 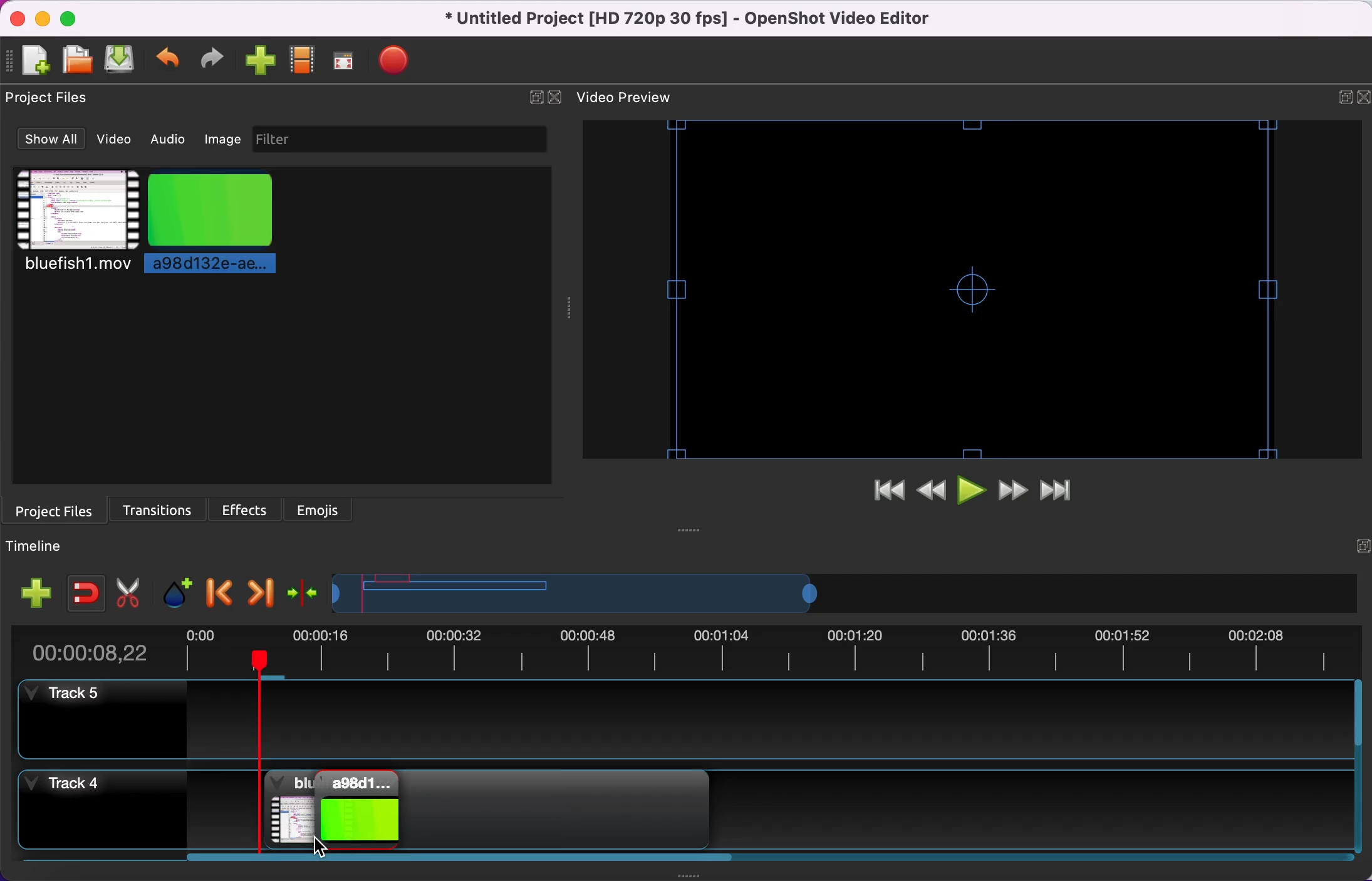 What do you see at coordinates (46, 548) in the screenshot?
I see `timeline` at bounding box center [46, 548].